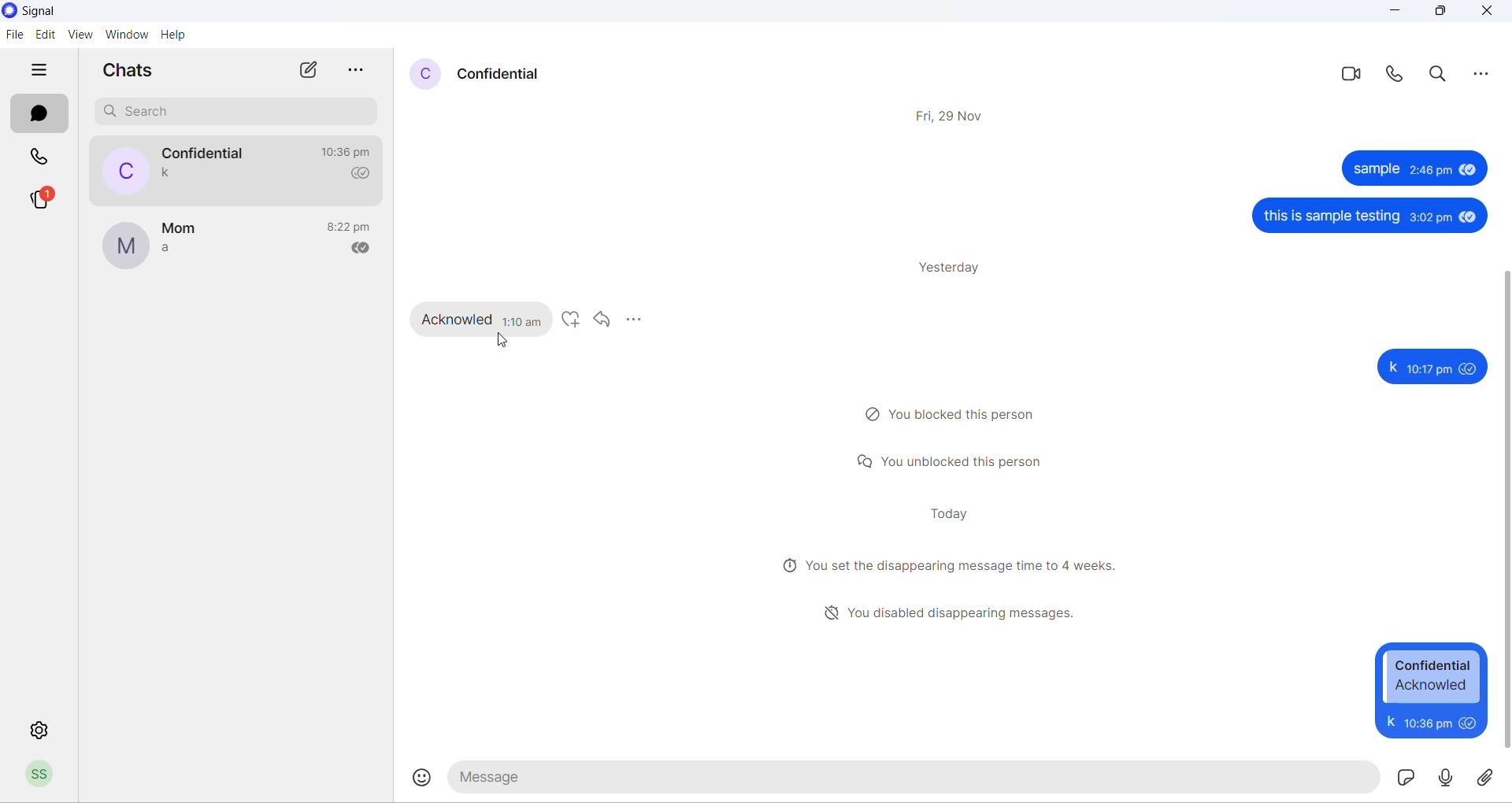 Image resolution: width=1512 pixels, height=803 pixels. I want to click on emojis, so click(420, 780).